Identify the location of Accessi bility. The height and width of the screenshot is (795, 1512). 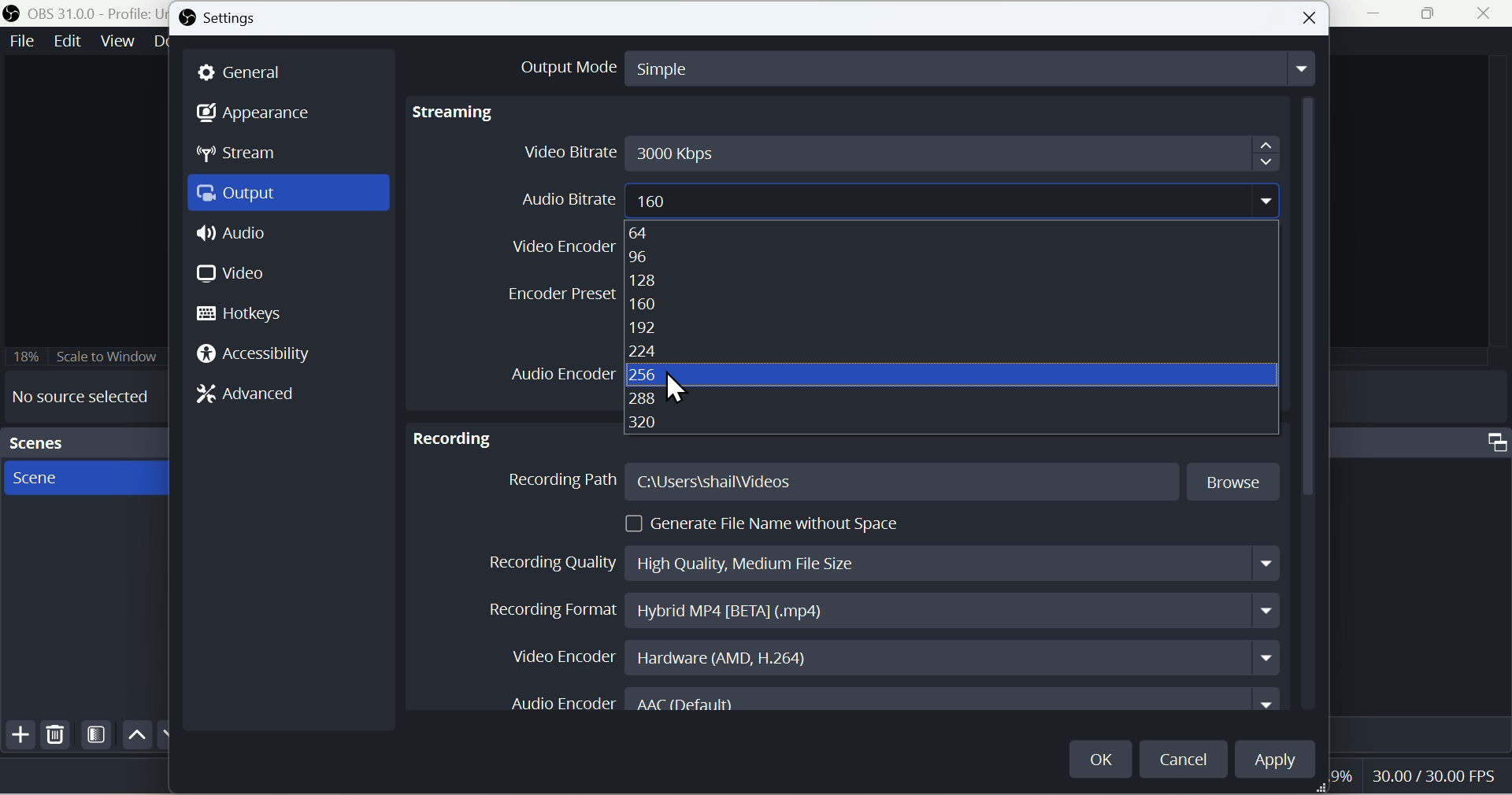
(263, 357).